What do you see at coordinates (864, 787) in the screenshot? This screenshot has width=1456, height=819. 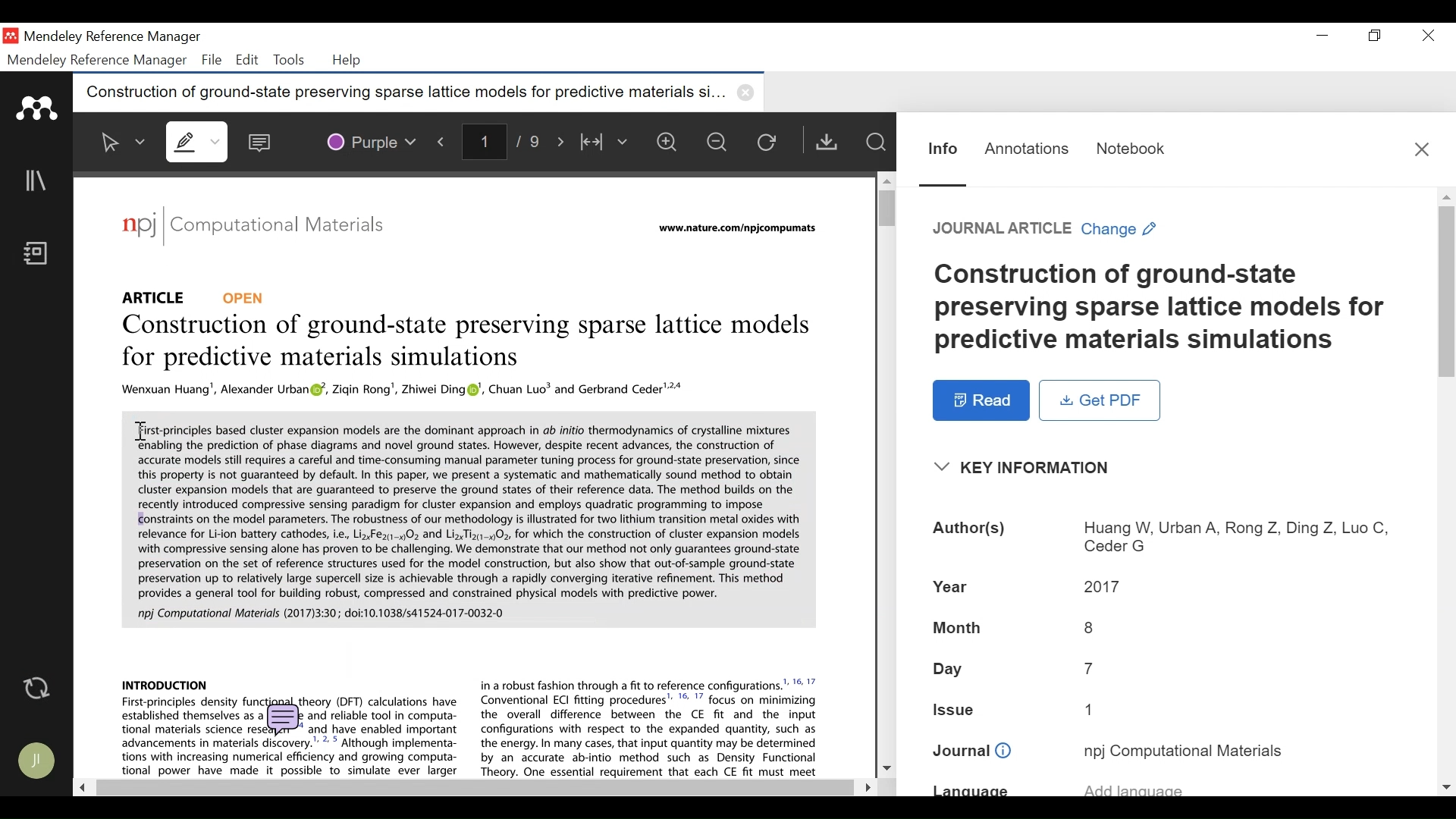 I see `Scroll Right` at bounding box center [864, 787].